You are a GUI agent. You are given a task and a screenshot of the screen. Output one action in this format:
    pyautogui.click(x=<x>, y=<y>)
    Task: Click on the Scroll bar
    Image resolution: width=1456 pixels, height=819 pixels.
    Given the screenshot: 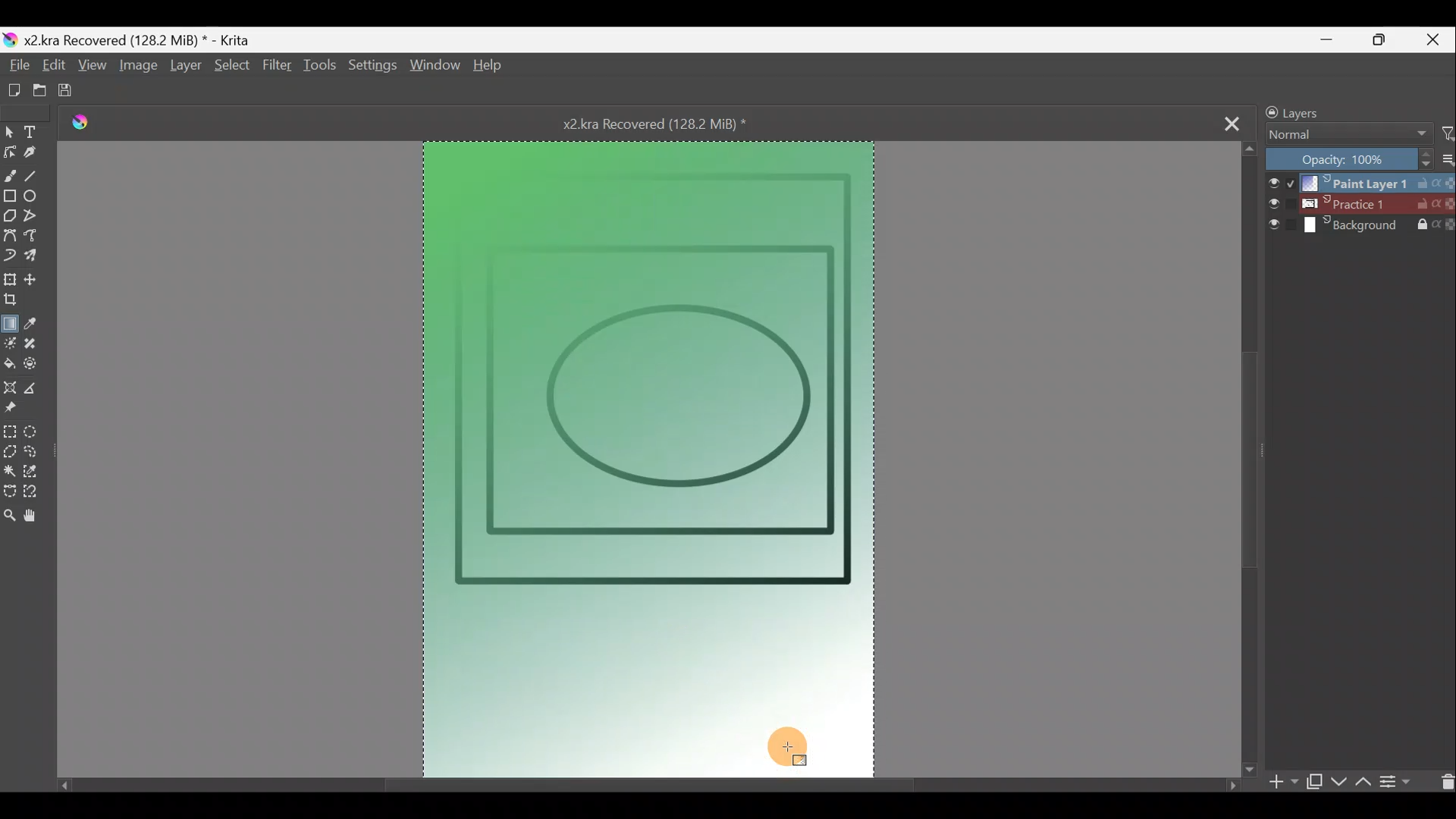 What is the action you would take?
    pyautogui.click(x=1250, y=457)
    